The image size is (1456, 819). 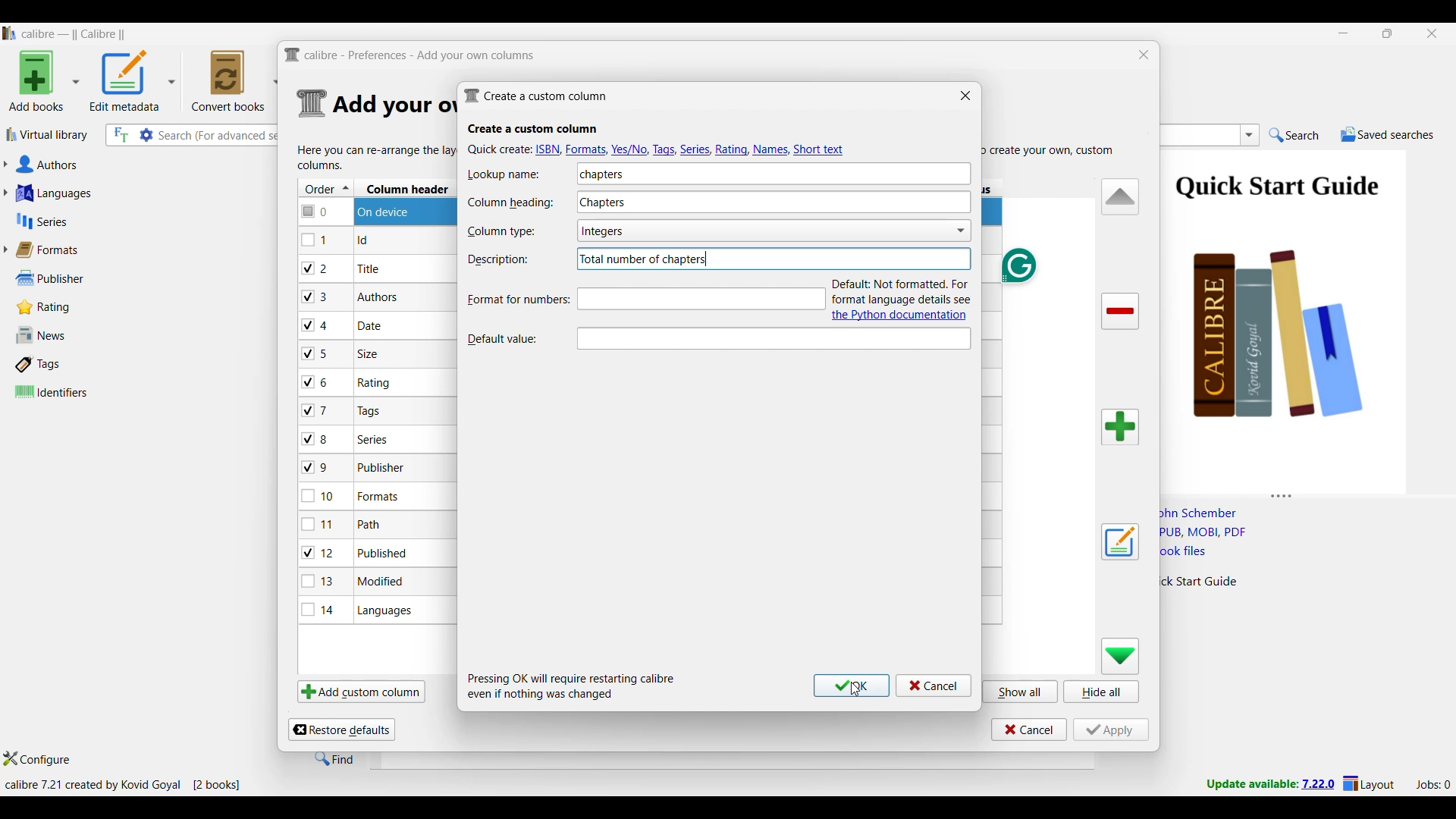 I want to click on checkbox - 3, so click(x=316, y=297).